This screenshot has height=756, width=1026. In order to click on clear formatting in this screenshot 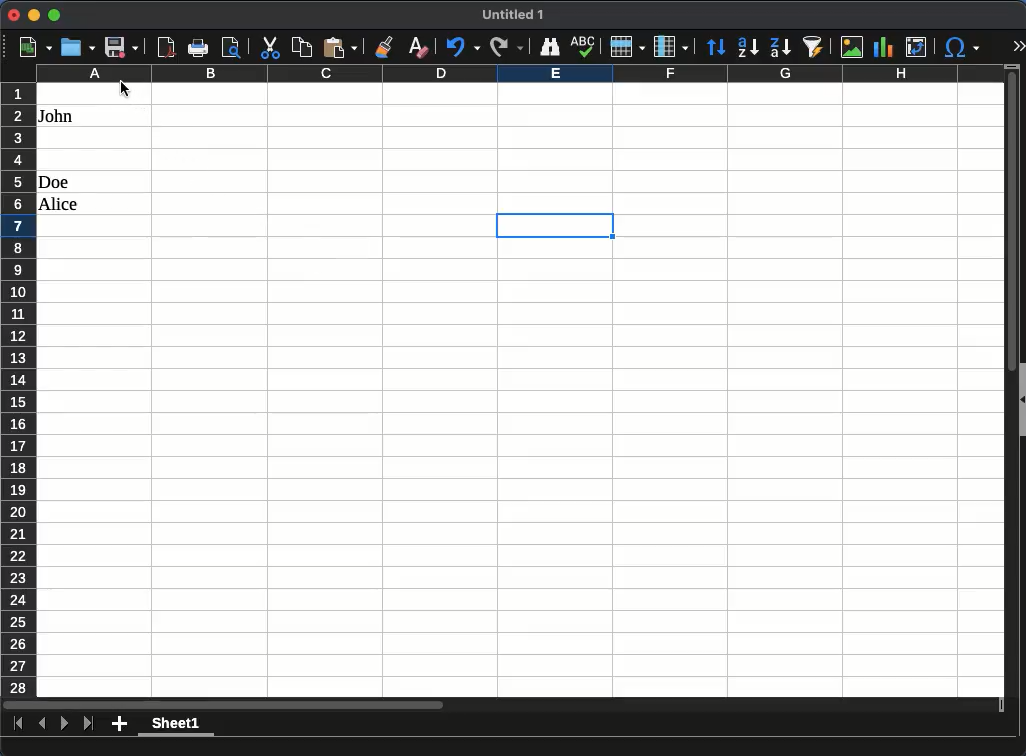, I will do `click(417, 48)`.